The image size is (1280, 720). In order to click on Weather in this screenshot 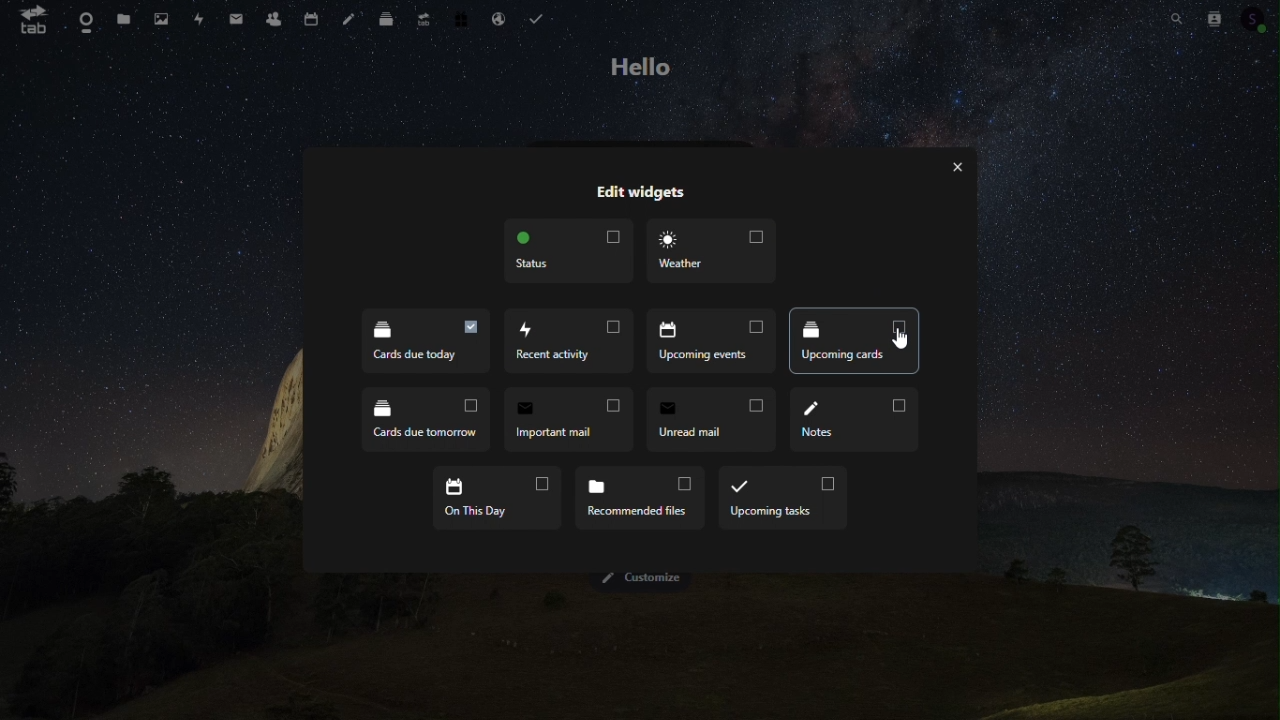, I will do `click(713, 252)`.